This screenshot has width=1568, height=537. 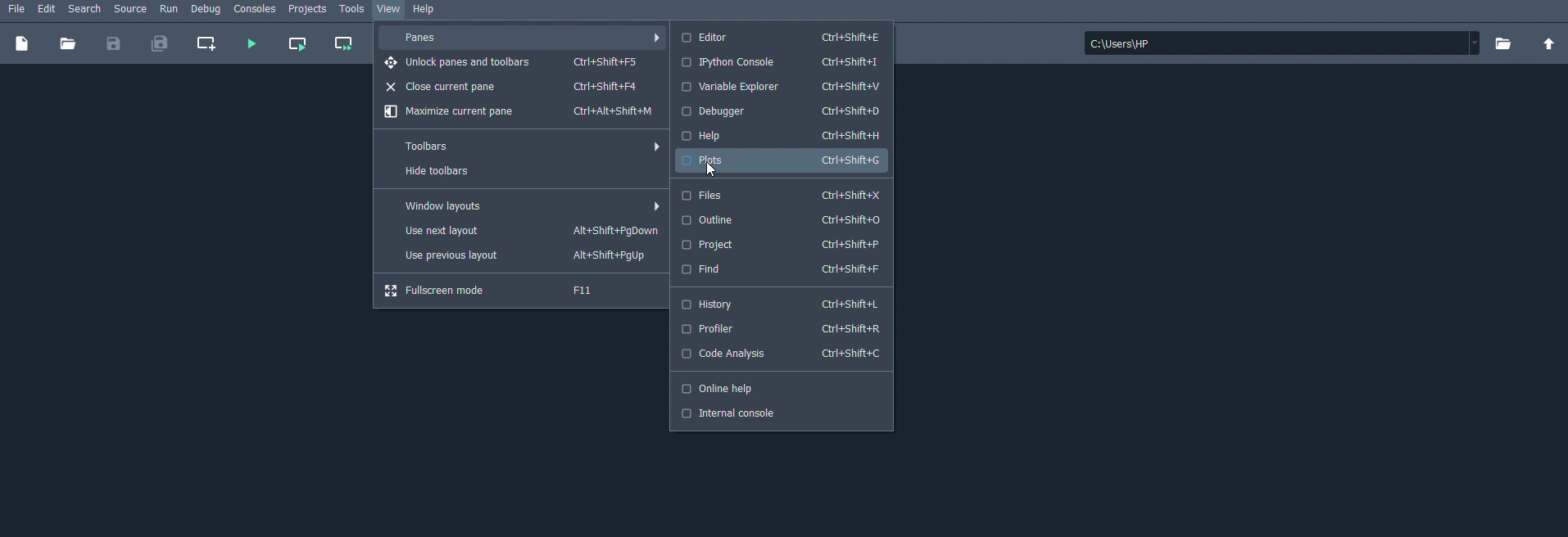 What do you see at coordinates (781, 196) in the screenshot?
I see `Files` at bounding box center [781, 196].